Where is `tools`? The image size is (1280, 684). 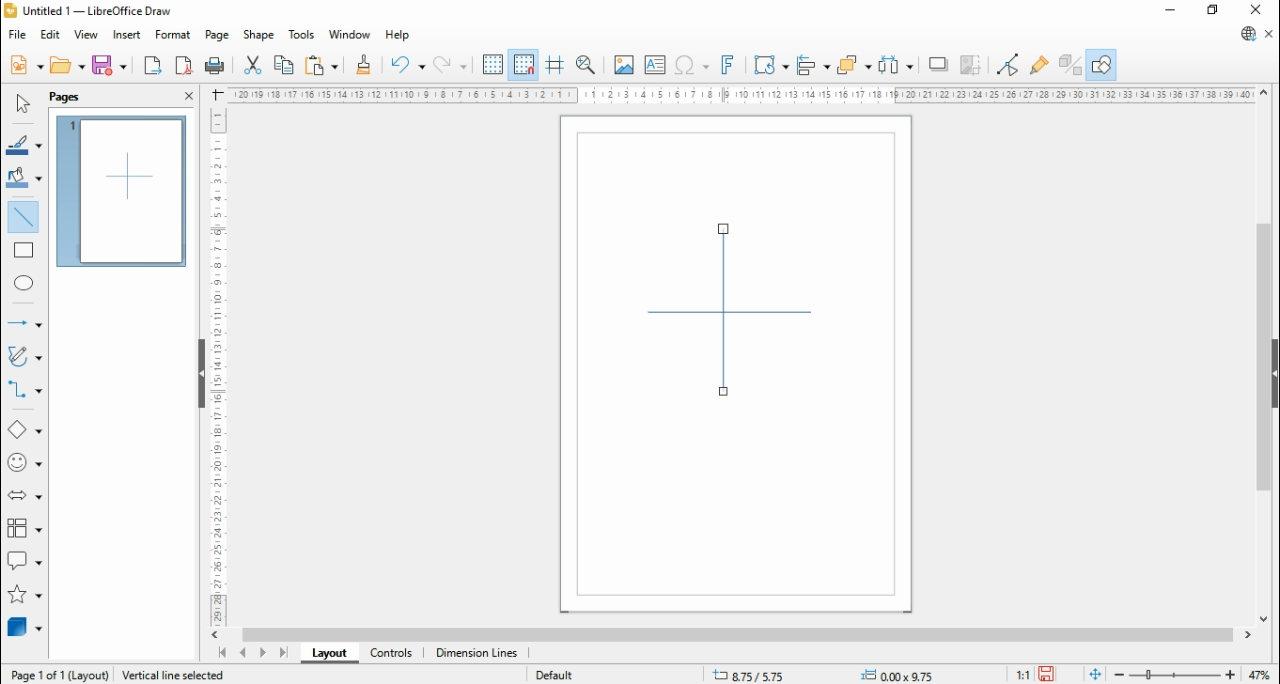
tools is located at coordinates (303, 35).